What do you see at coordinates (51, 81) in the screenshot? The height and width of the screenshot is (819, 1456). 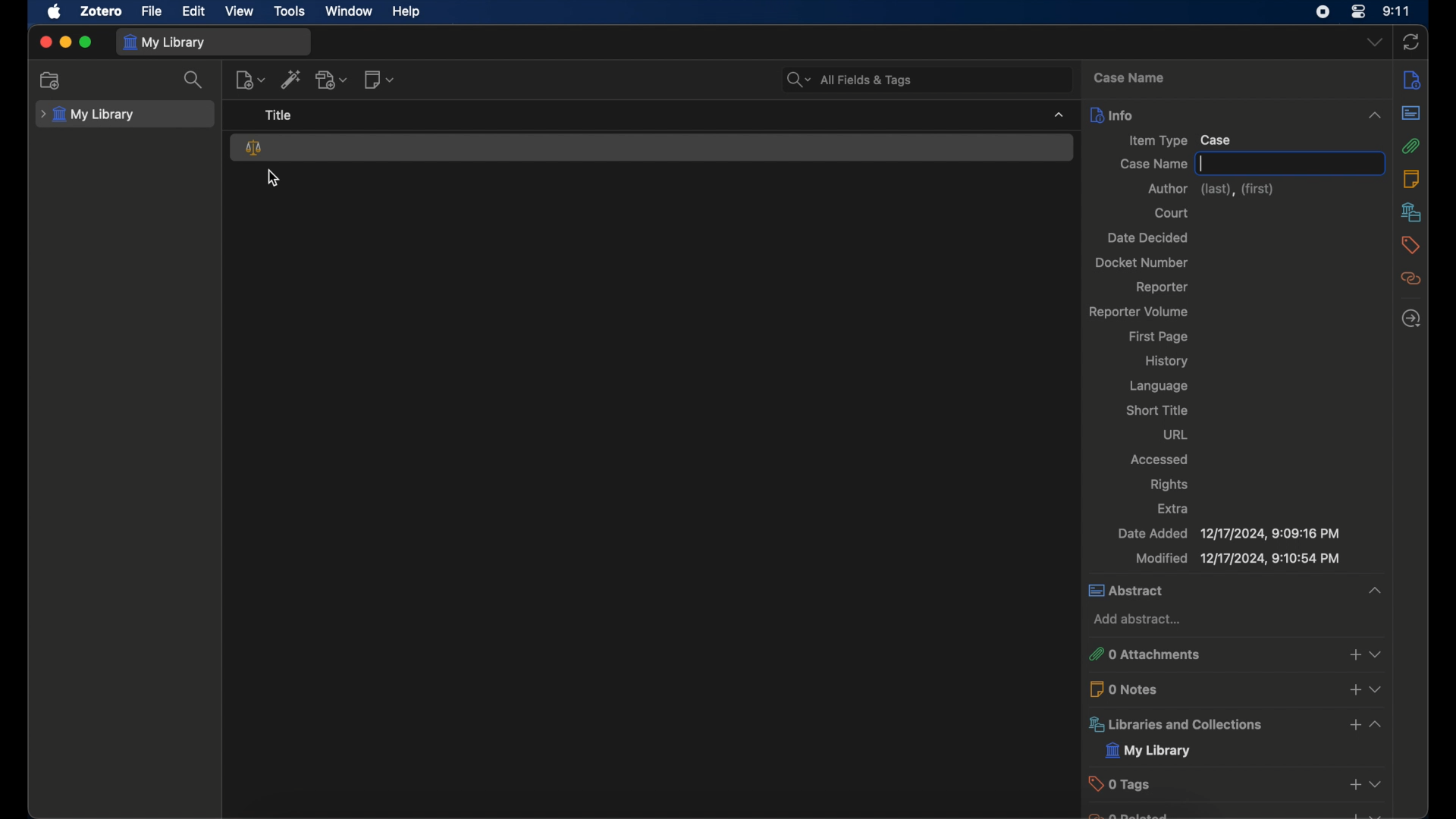 I see `new collection` at bounding box center [51, 81].